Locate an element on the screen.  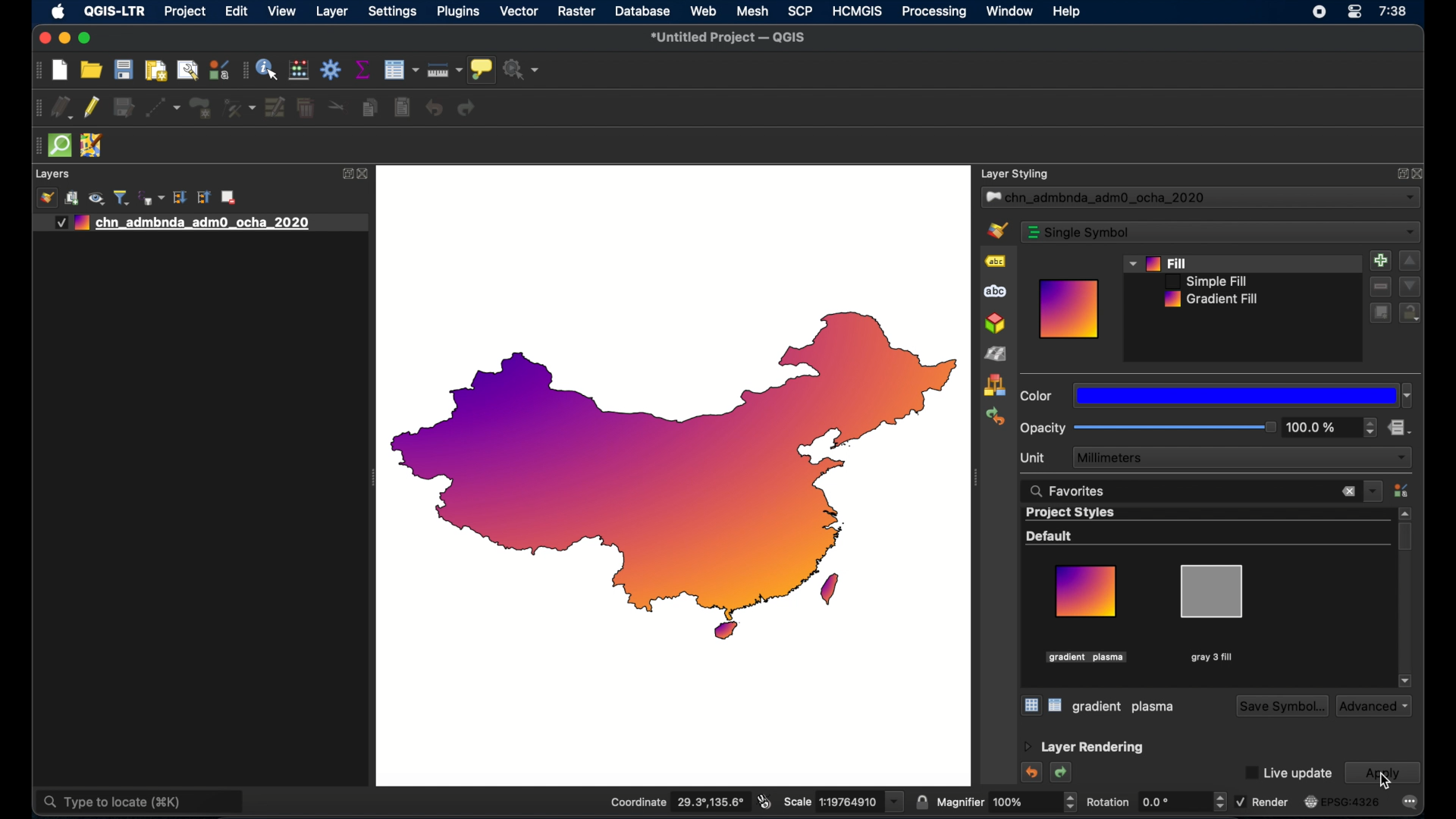
window is located at coordinates (1011, 11).